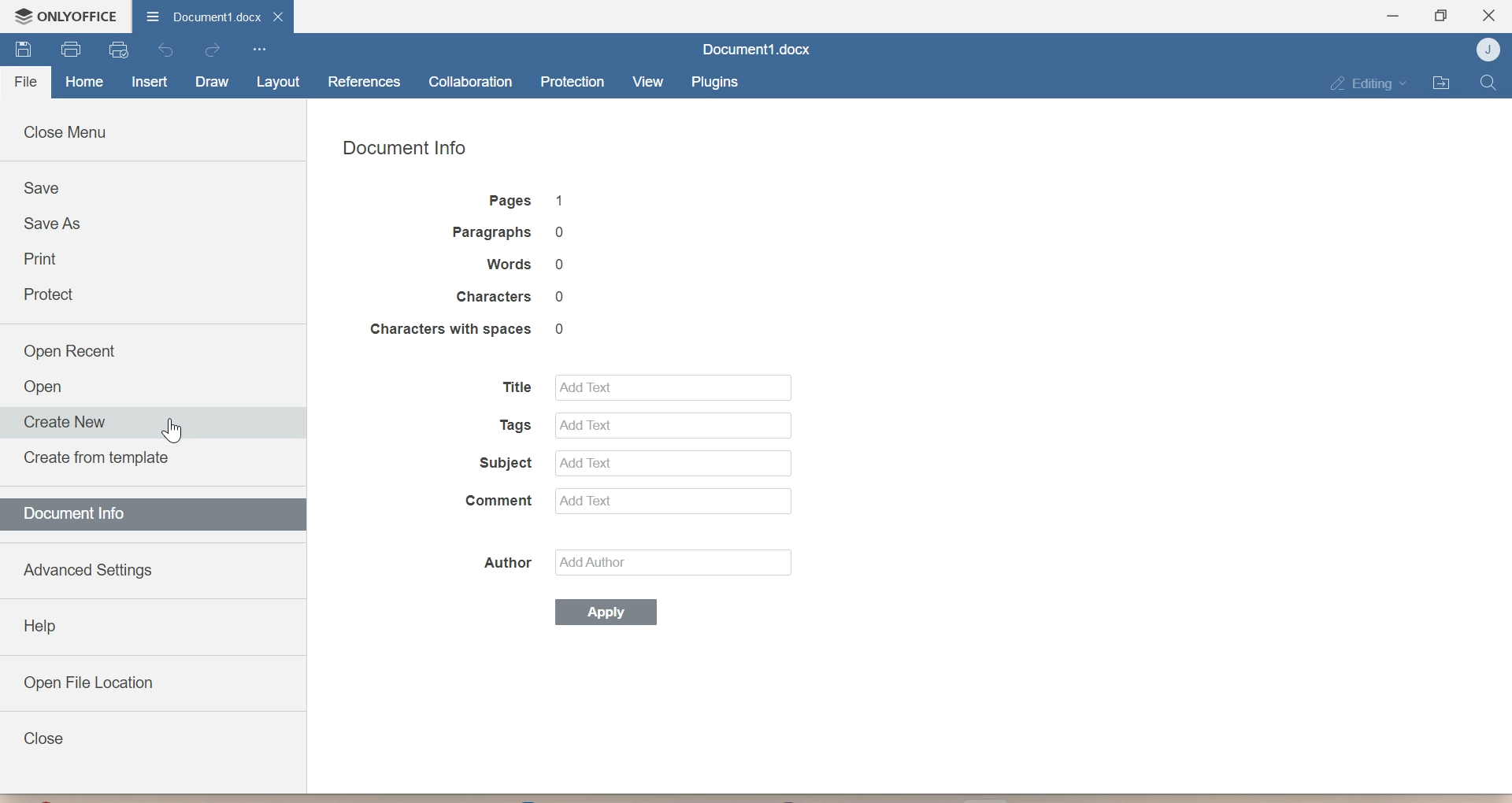 Image resolution: width=1512 pixels, height=803 pixels. Describe the element at coordinates (1443, 83) in the screenshot. I see `Open file location` at that location.